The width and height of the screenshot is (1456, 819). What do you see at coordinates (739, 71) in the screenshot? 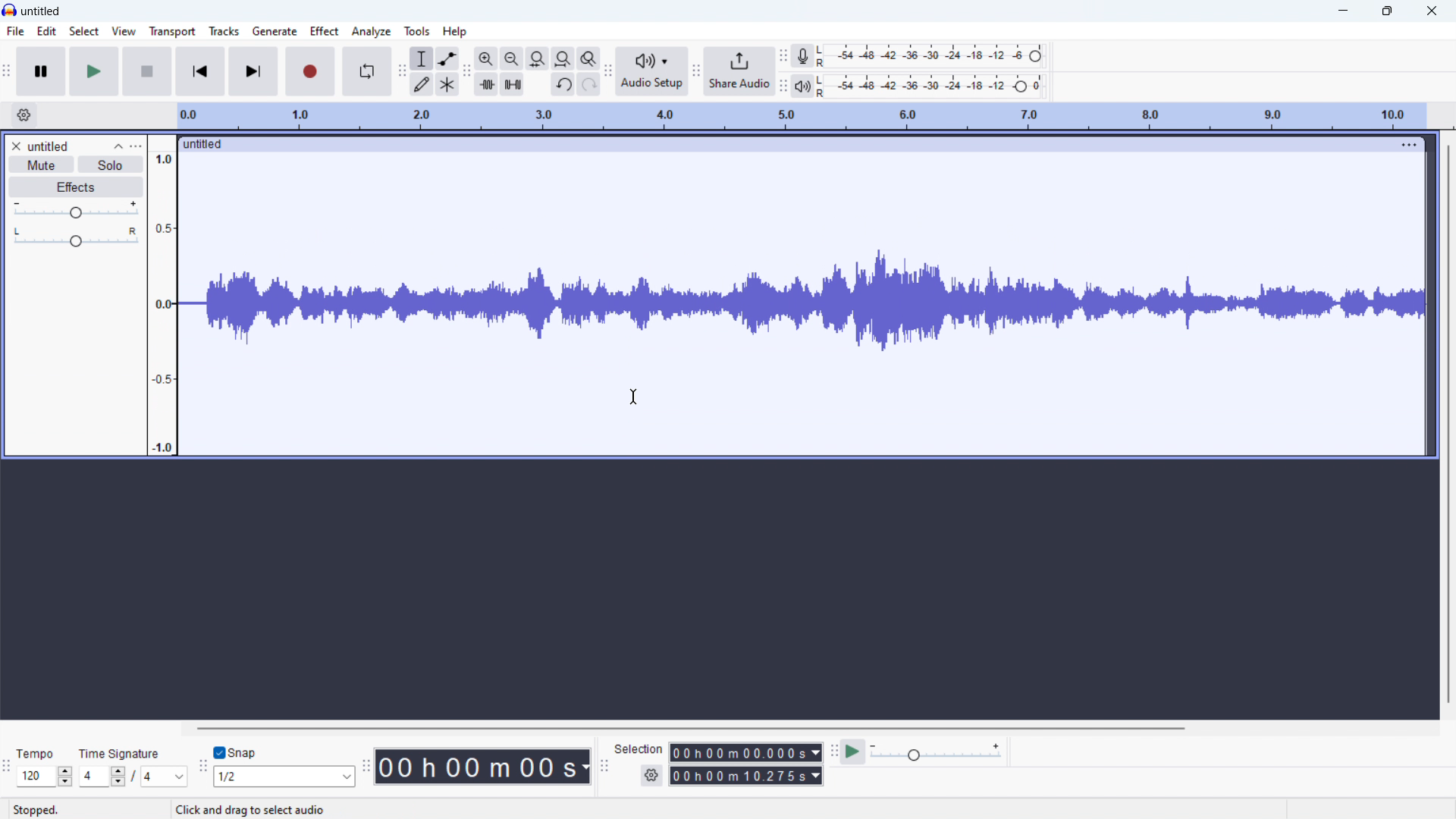
I see `share audio` at bounding box center [739, 71].